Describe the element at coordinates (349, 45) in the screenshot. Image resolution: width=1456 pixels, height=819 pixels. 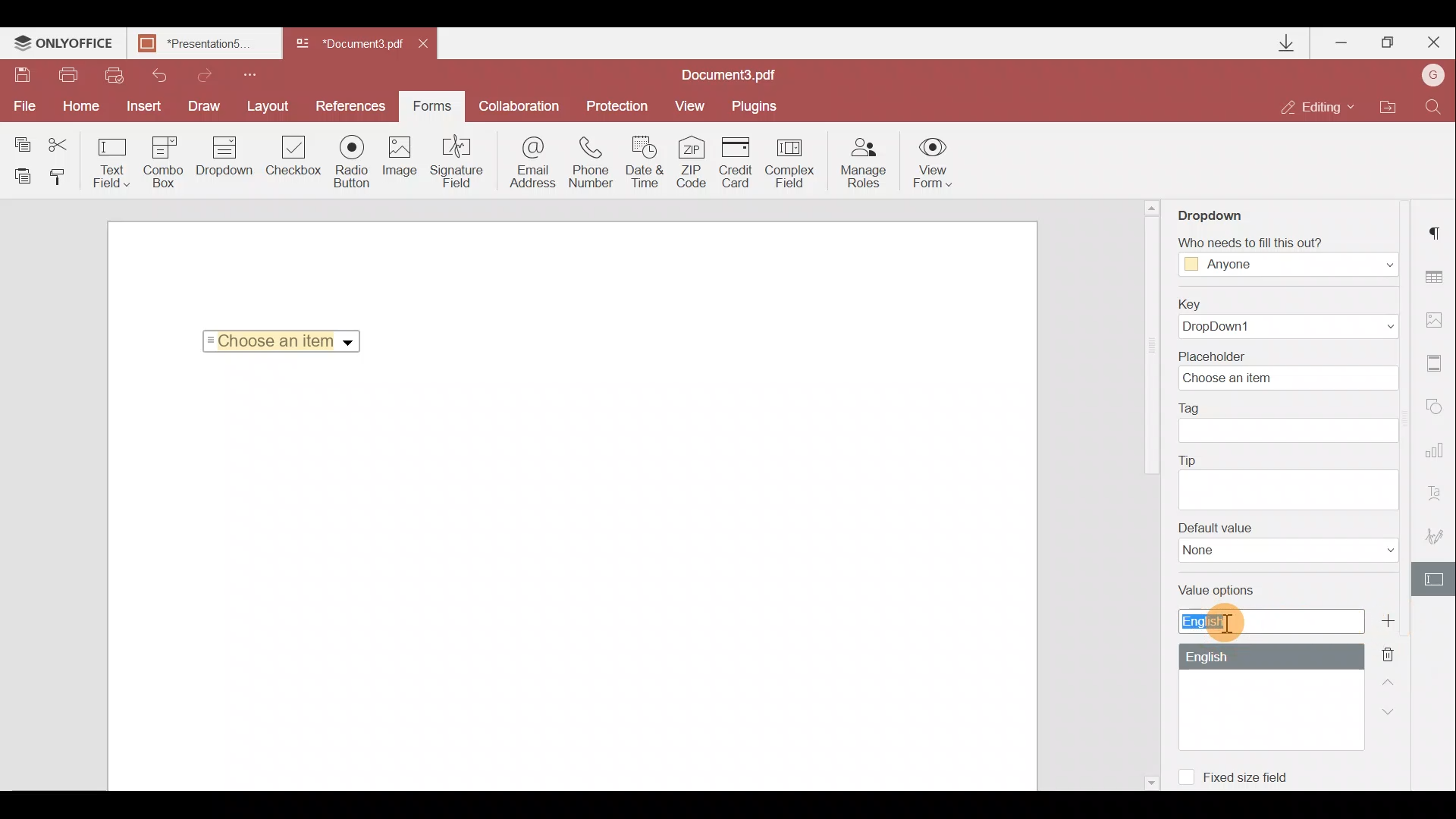
I see `Document3.pdf` at that location.